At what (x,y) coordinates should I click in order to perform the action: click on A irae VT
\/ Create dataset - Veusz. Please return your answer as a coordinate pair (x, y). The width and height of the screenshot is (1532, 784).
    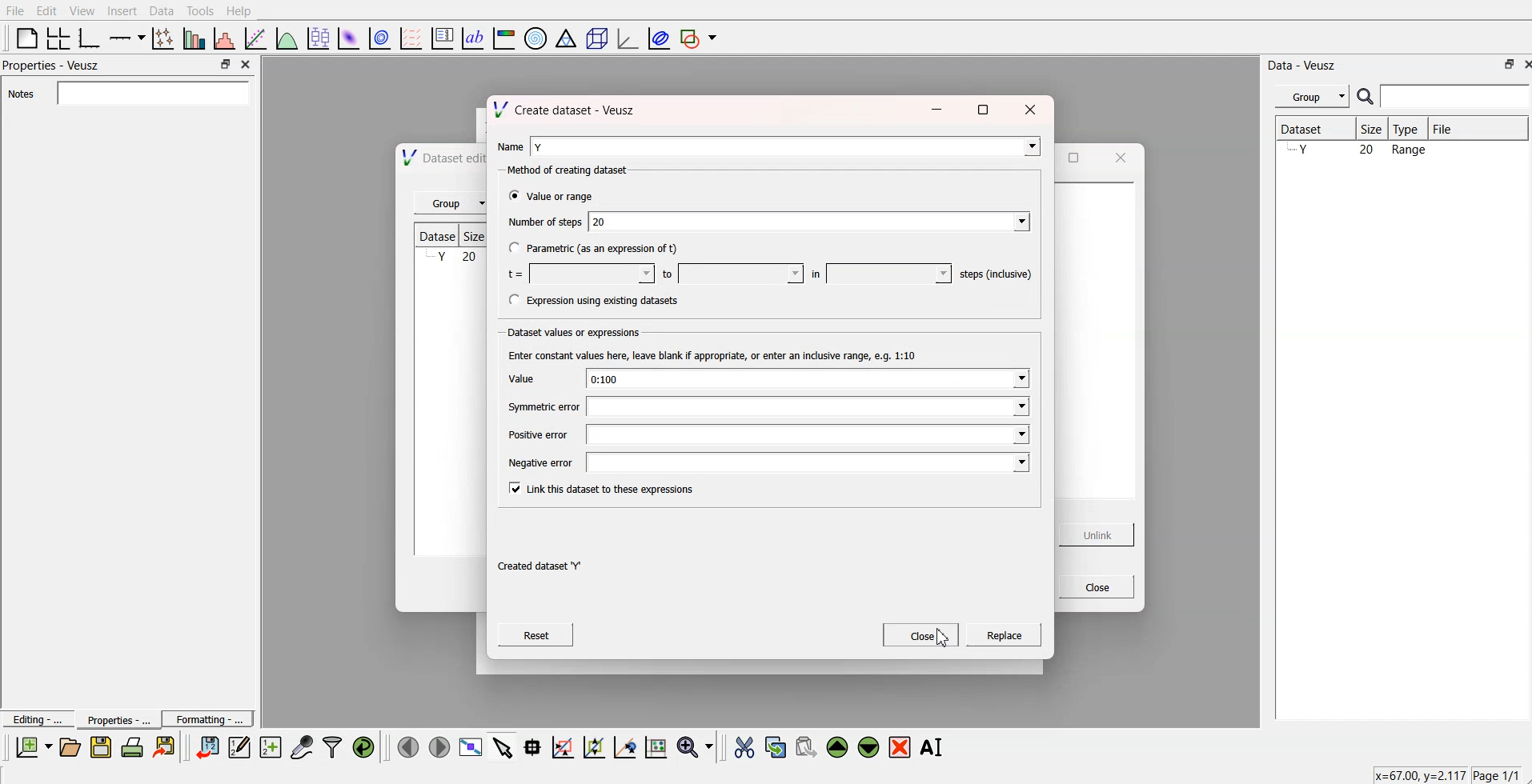
    Looking at the image, I should click on (564, 107).